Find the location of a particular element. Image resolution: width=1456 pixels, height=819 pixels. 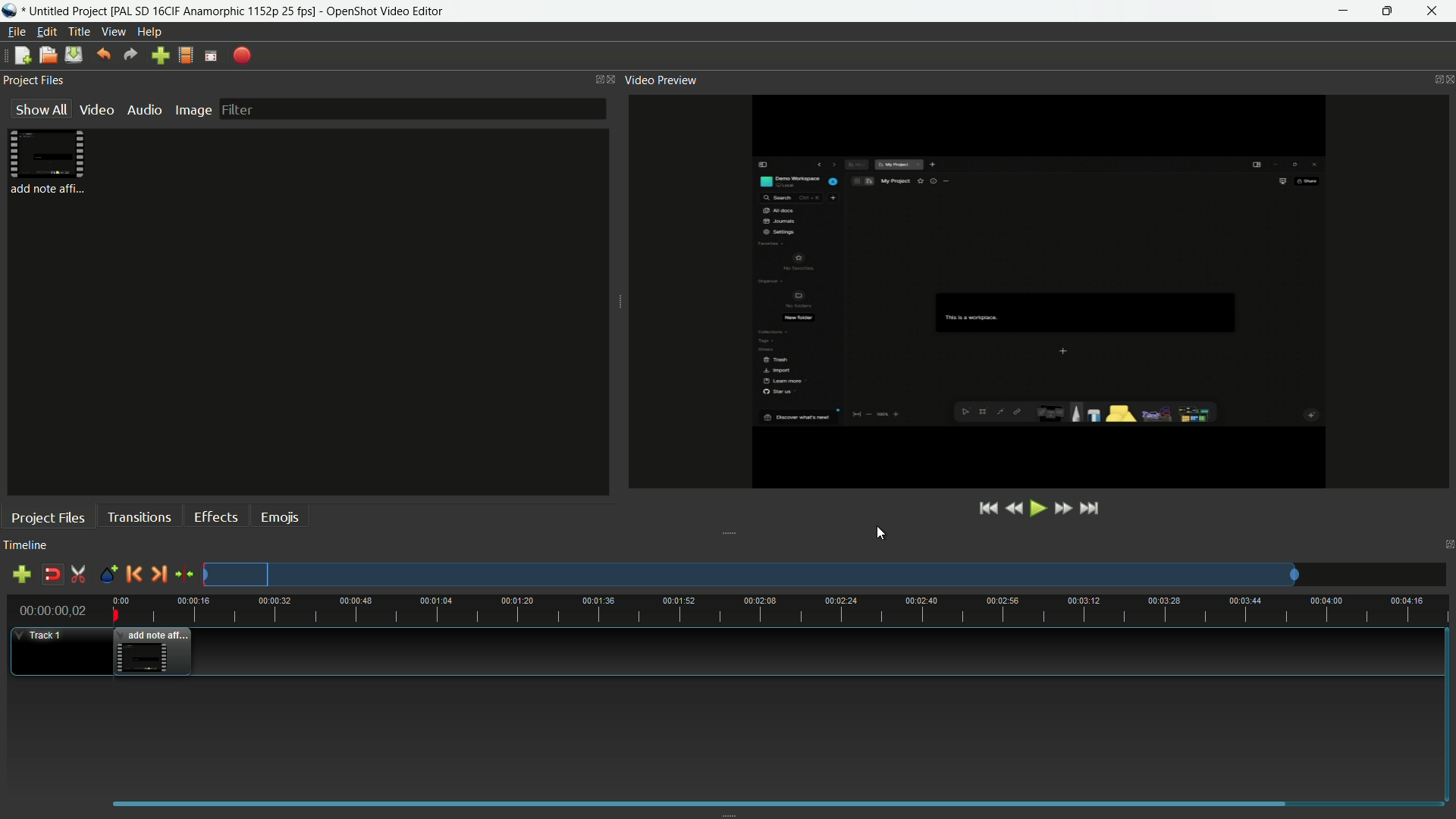

video is located at coordinates (95, 109).